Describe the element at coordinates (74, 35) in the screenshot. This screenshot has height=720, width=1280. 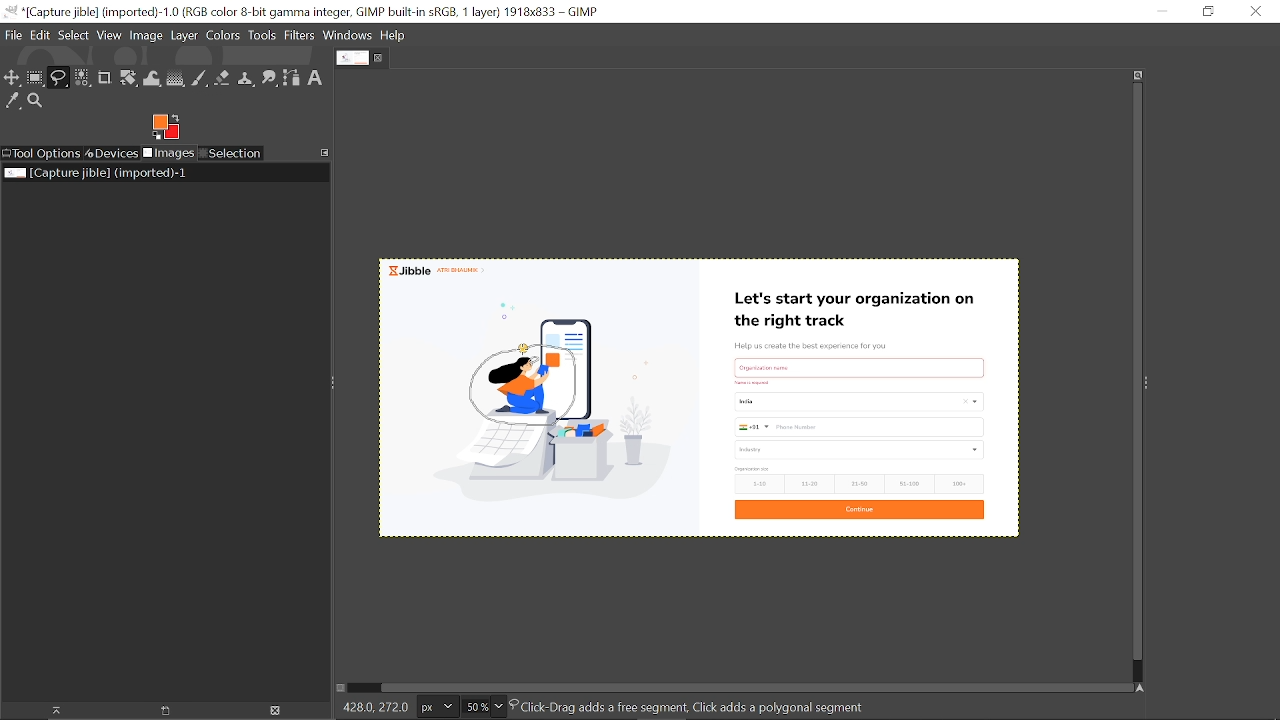
I see `Select` at that location.